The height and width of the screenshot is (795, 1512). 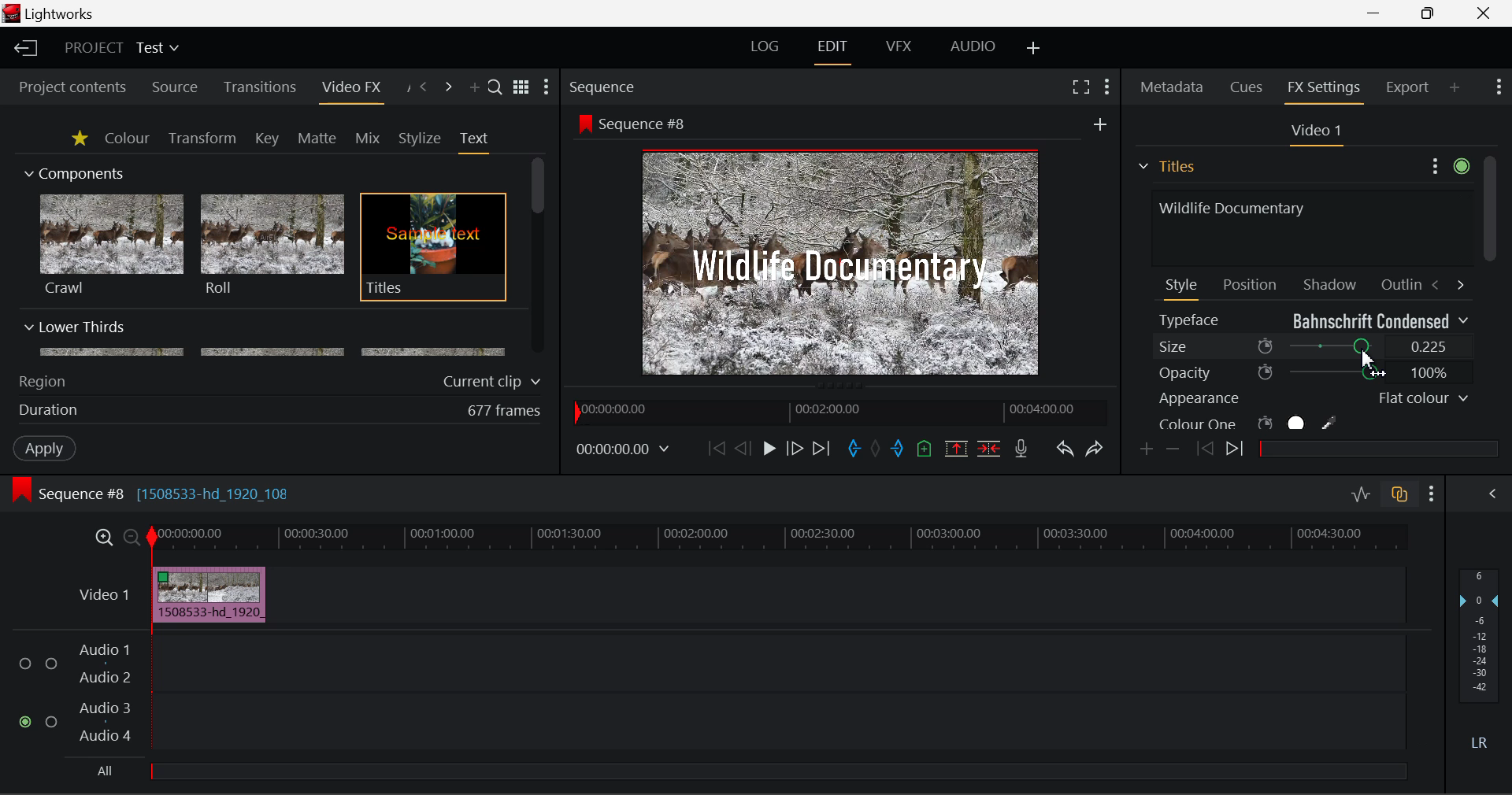 What do you see at coordinates (547, 87) in the screenshot?
I see `Show Settings` at bounding box center [547, 87].